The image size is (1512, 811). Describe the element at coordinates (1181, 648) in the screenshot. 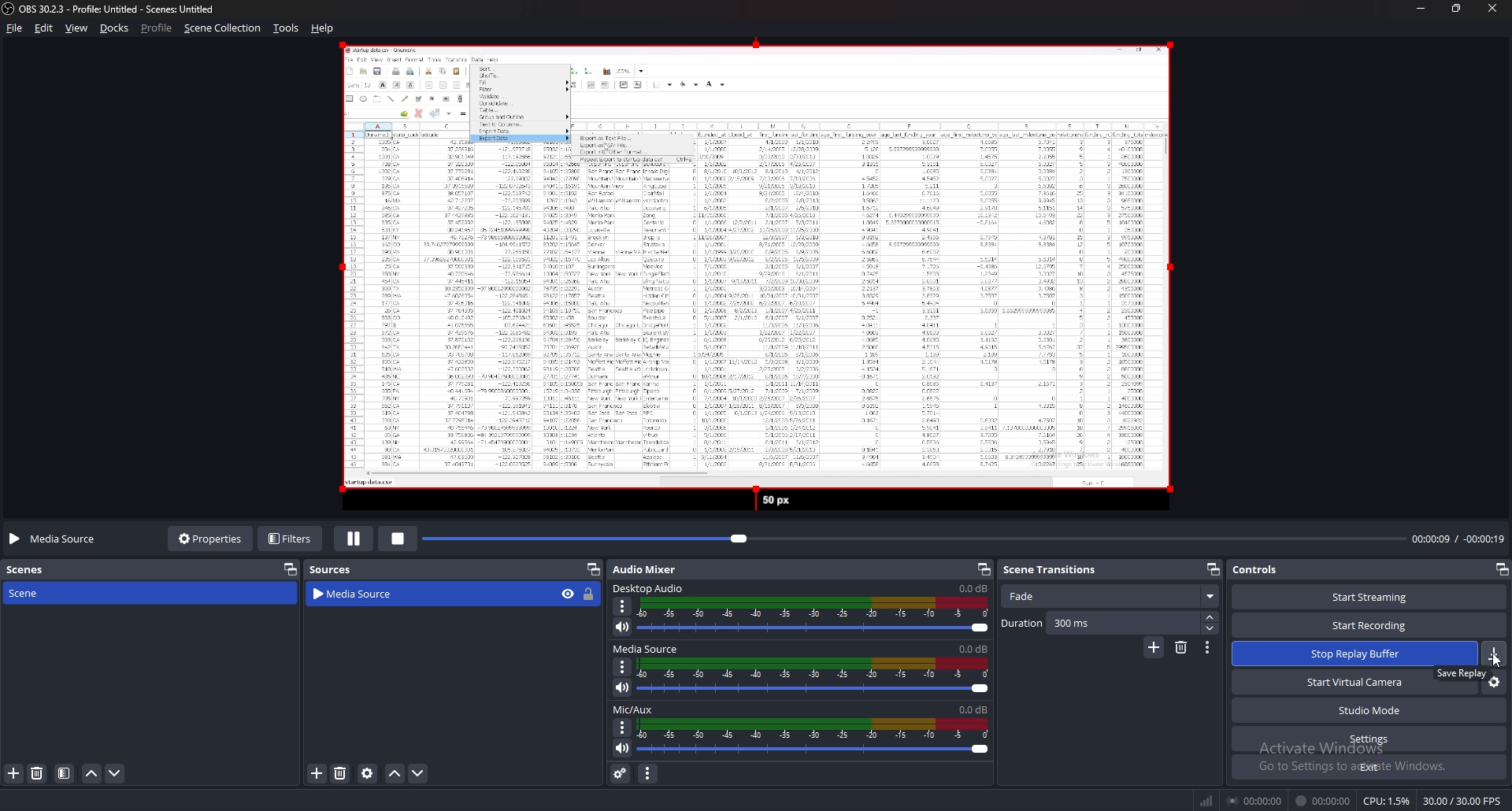

I see `delete transition` at that location.